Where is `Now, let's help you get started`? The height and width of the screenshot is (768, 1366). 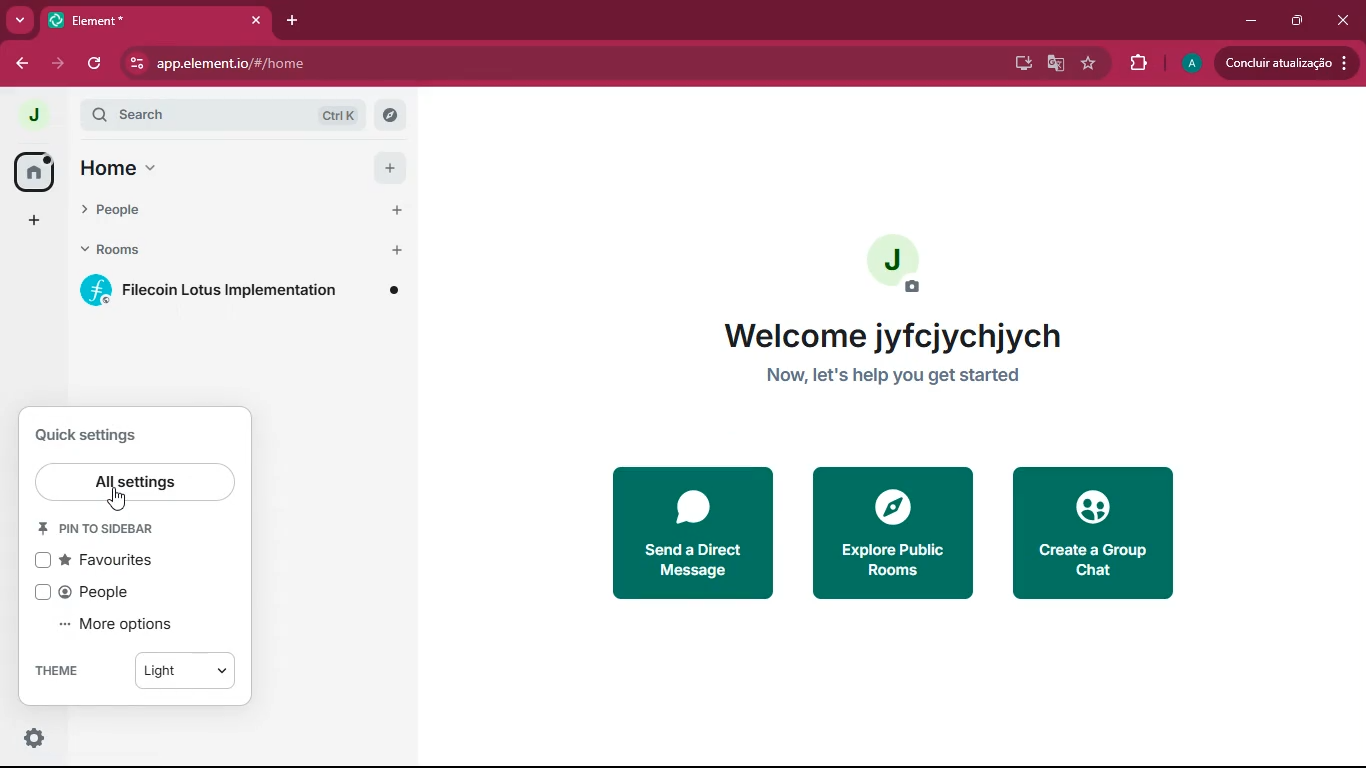
Now, let's help you get started is located at coordinates (901, 377).